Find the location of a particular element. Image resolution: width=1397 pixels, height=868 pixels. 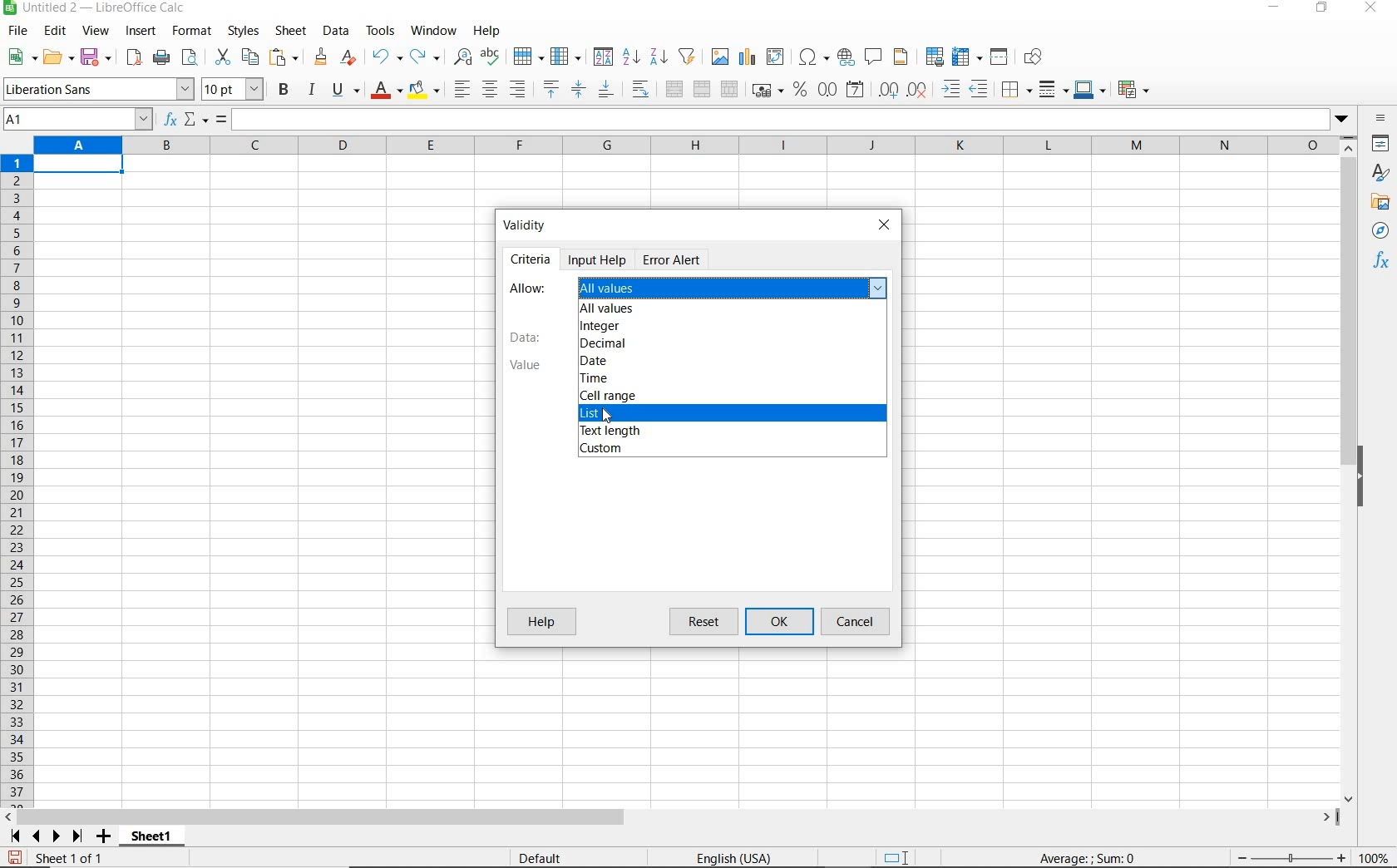

Data is located at coordinates (526, 338).